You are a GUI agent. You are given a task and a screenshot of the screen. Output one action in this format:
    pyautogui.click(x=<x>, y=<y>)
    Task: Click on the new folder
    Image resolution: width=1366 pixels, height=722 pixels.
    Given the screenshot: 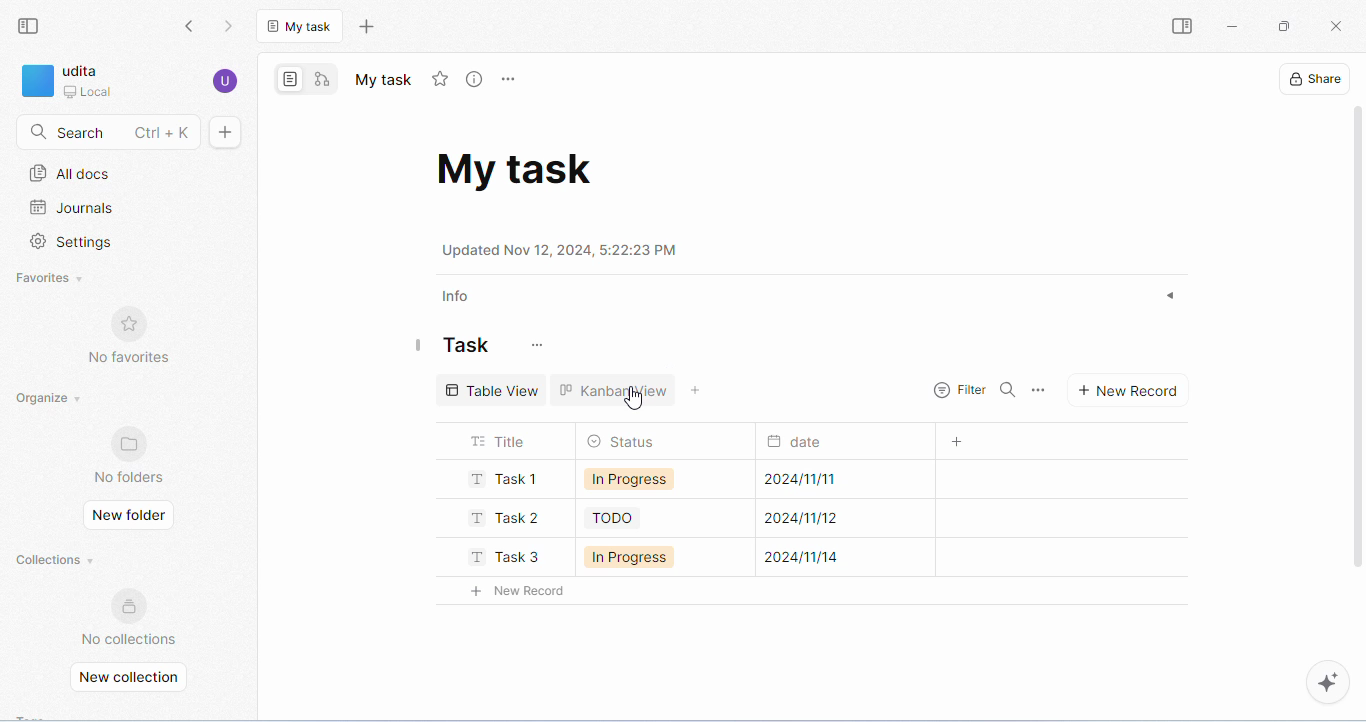 What is the action you would take?
    pyautogui.click(x=131, y=517)
    